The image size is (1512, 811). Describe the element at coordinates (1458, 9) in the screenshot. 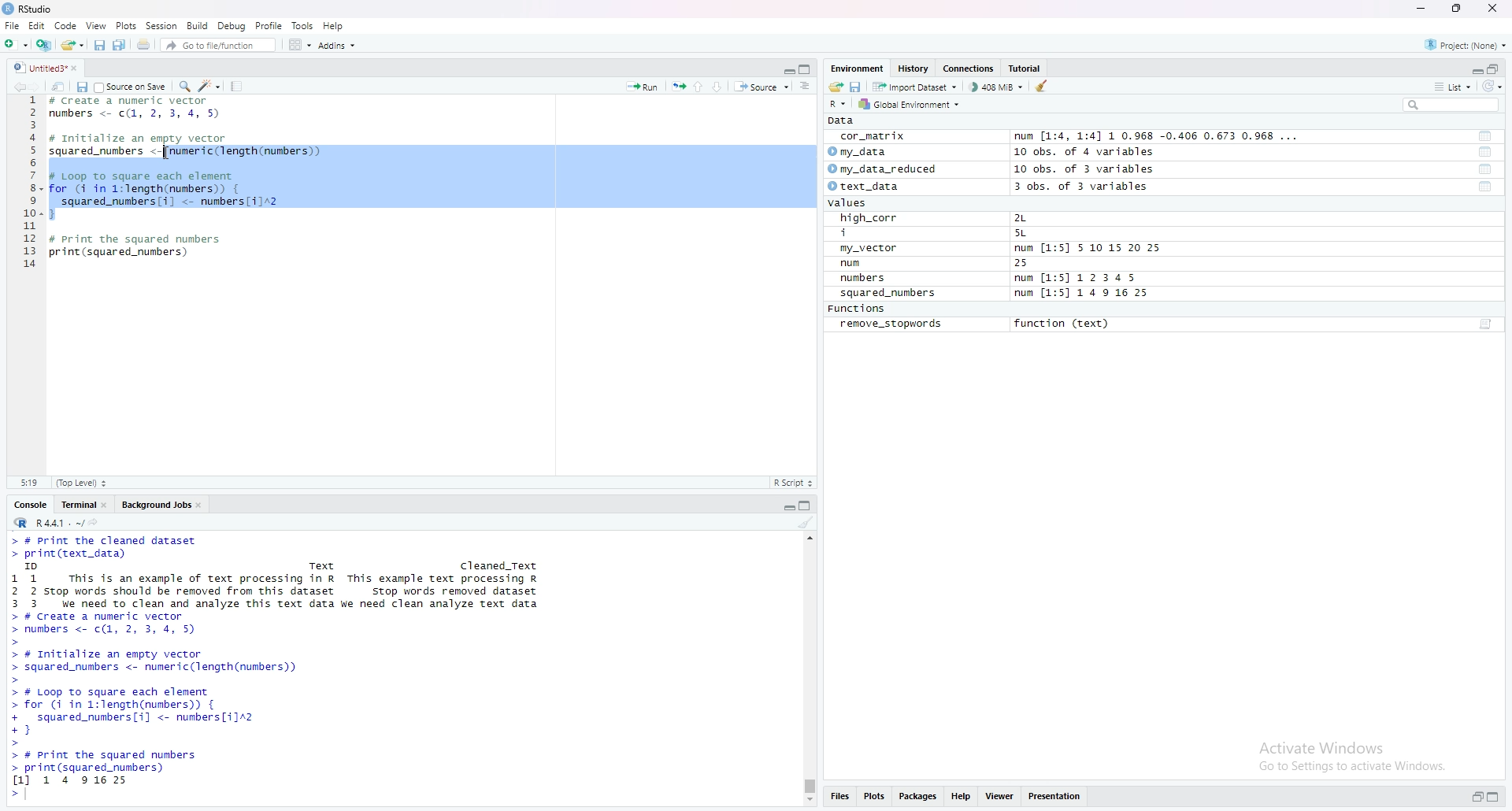

I see `maximize` at that location.